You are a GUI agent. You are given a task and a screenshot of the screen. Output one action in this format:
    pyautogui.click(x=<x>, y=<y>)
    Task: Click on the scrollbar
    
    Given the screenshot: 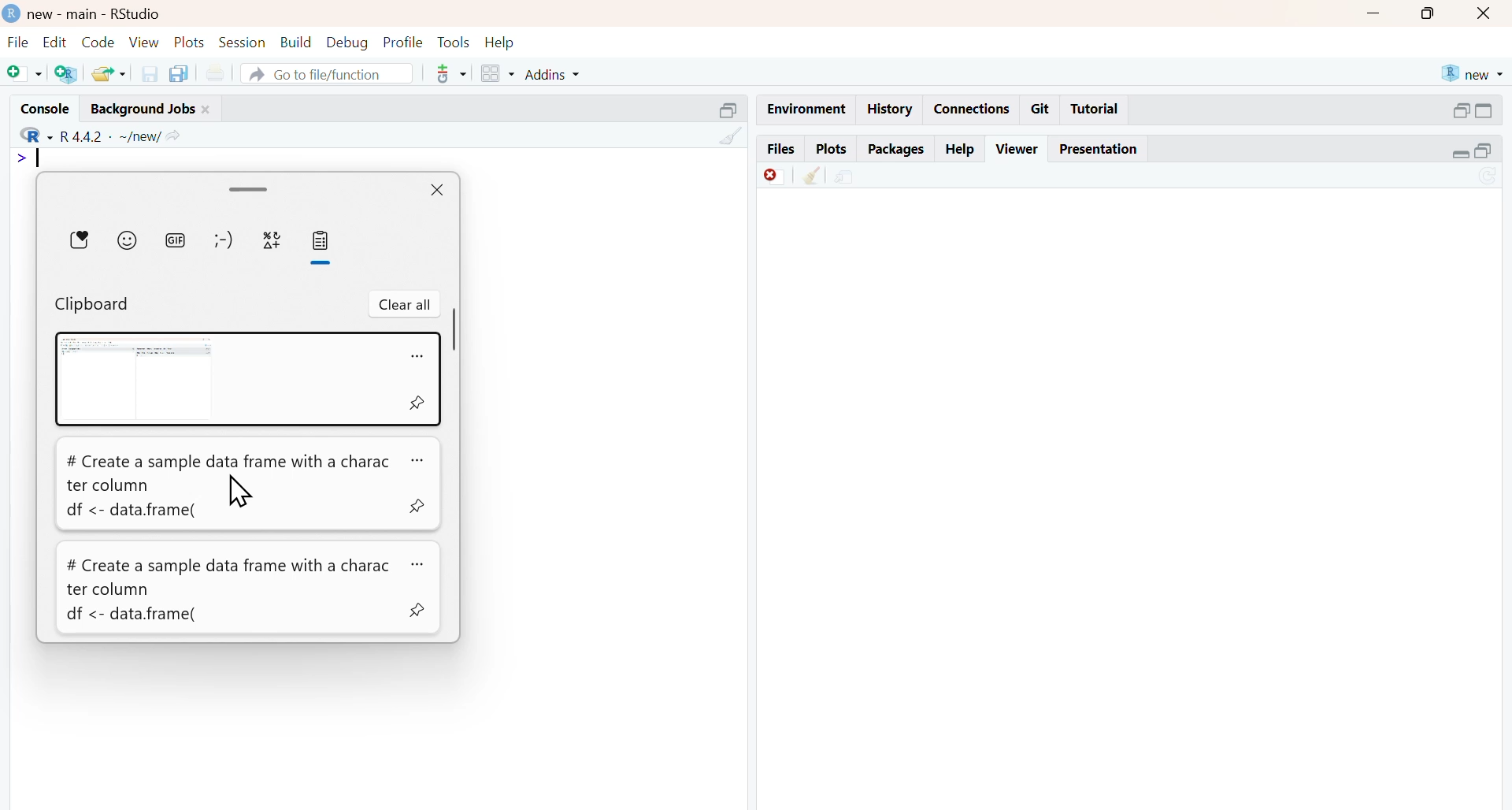 What is the action you would take?
    pyautogui.click(x=455, y=328)
    